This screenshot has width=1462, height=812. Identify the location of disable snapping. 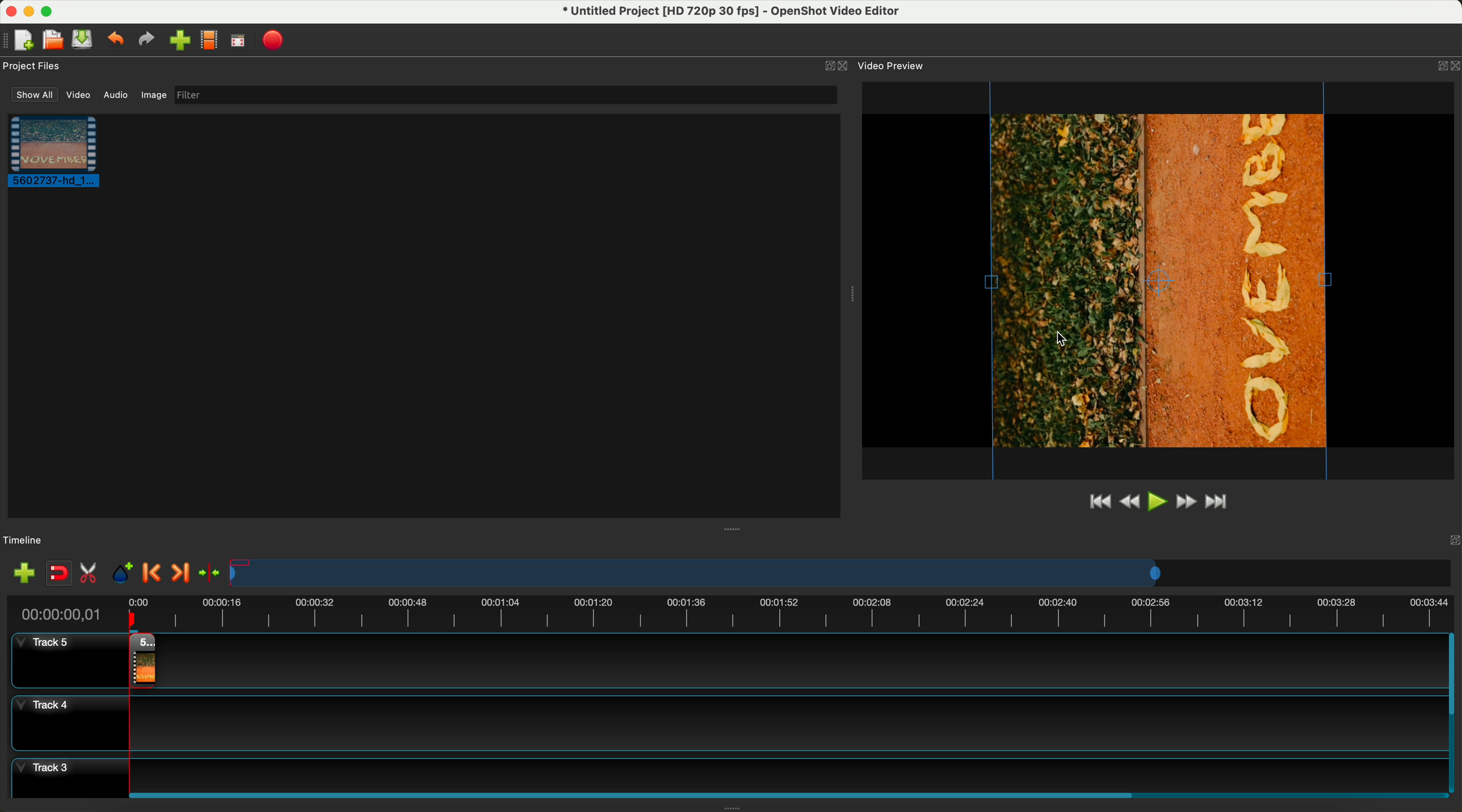
(60, 574).